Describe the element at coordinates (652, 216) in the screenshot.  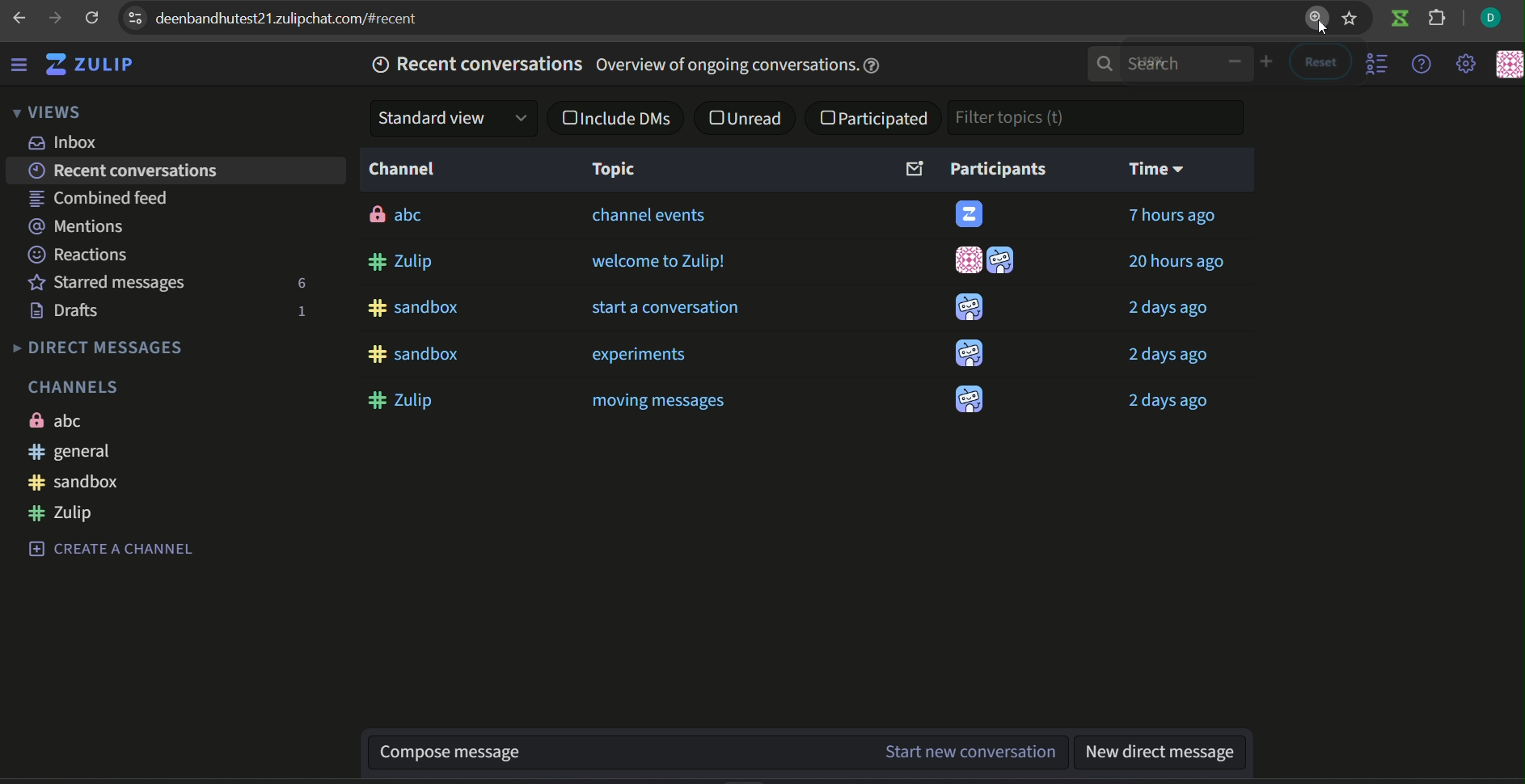
I see `channel events` at that location.